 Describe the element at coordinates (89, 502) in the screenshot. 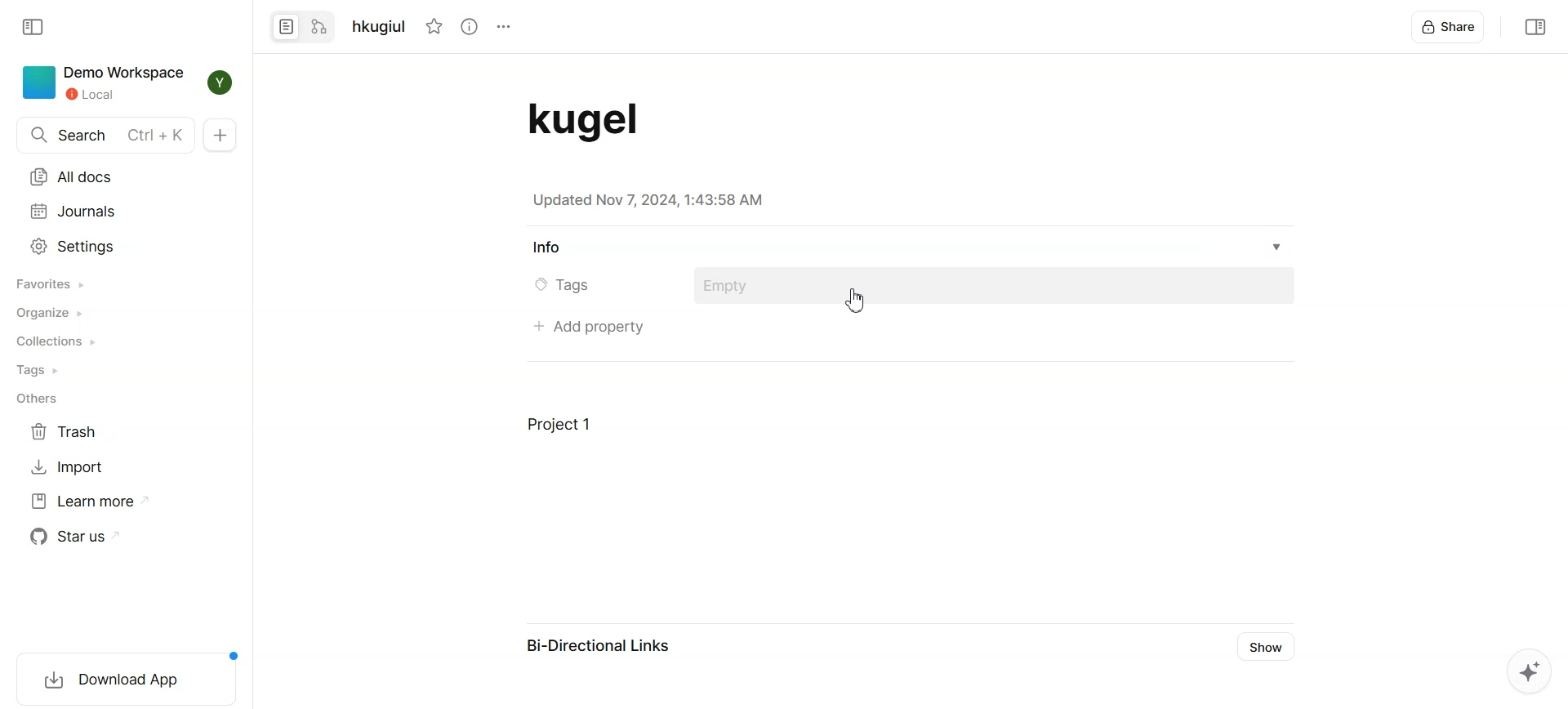

I see `Learn more` at that location.